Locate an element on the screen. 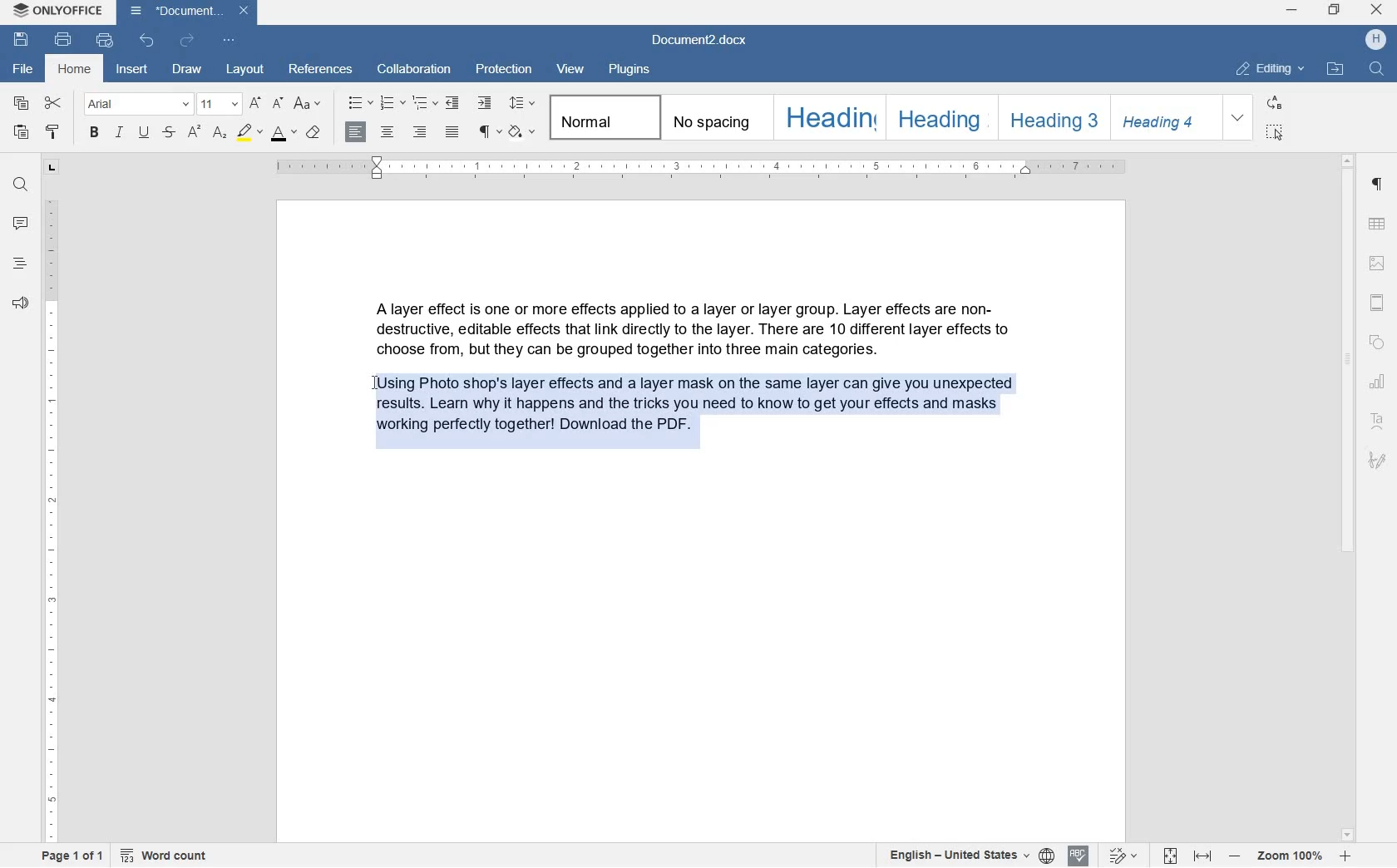 This screenshot has width=1397, height=868. COLLABORATION is located at coordinates (415, 69).